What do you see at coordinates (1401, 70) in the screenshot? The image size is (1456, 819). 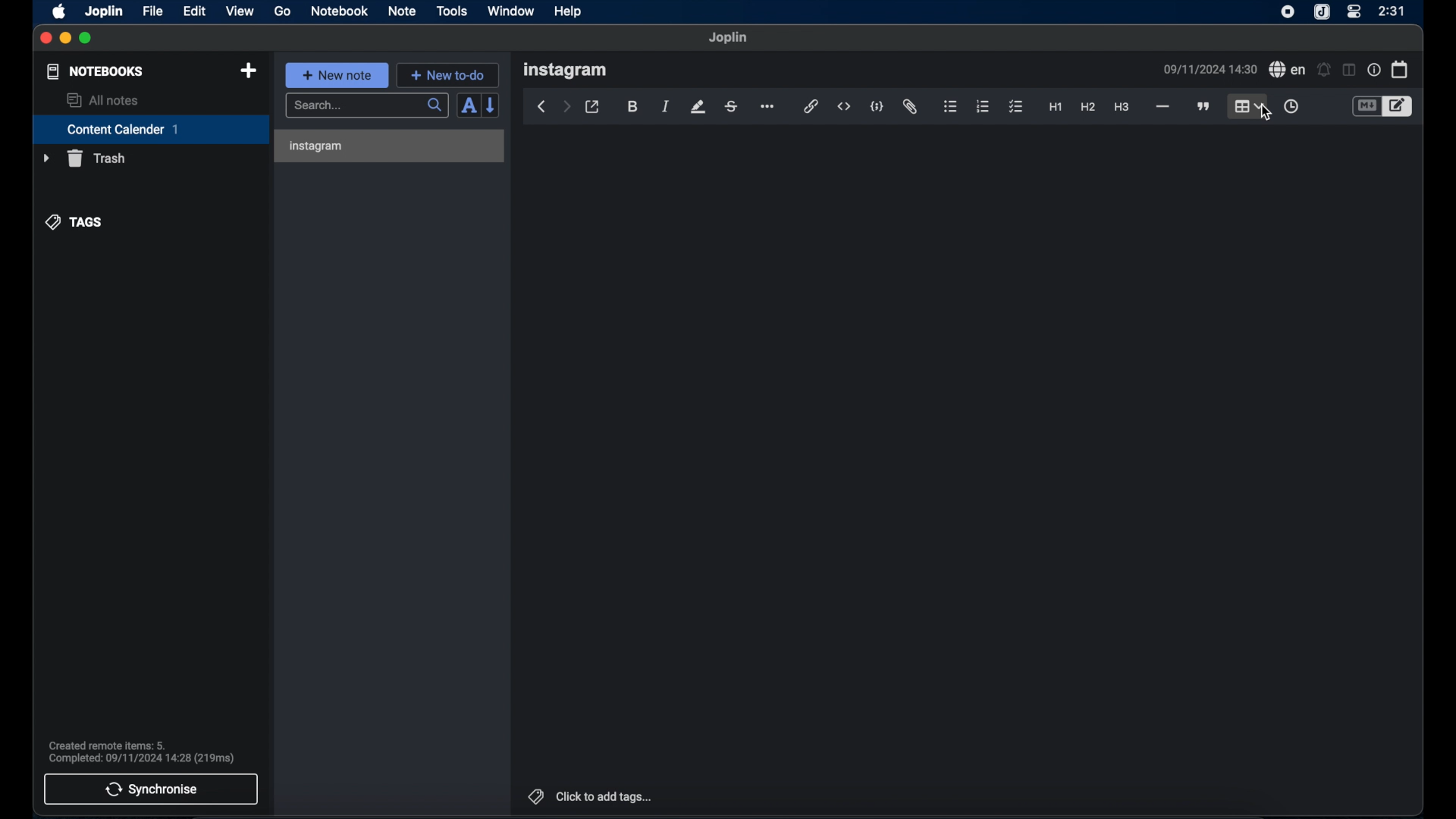 I see `calendar icon` at bounding box center [1401, 70].